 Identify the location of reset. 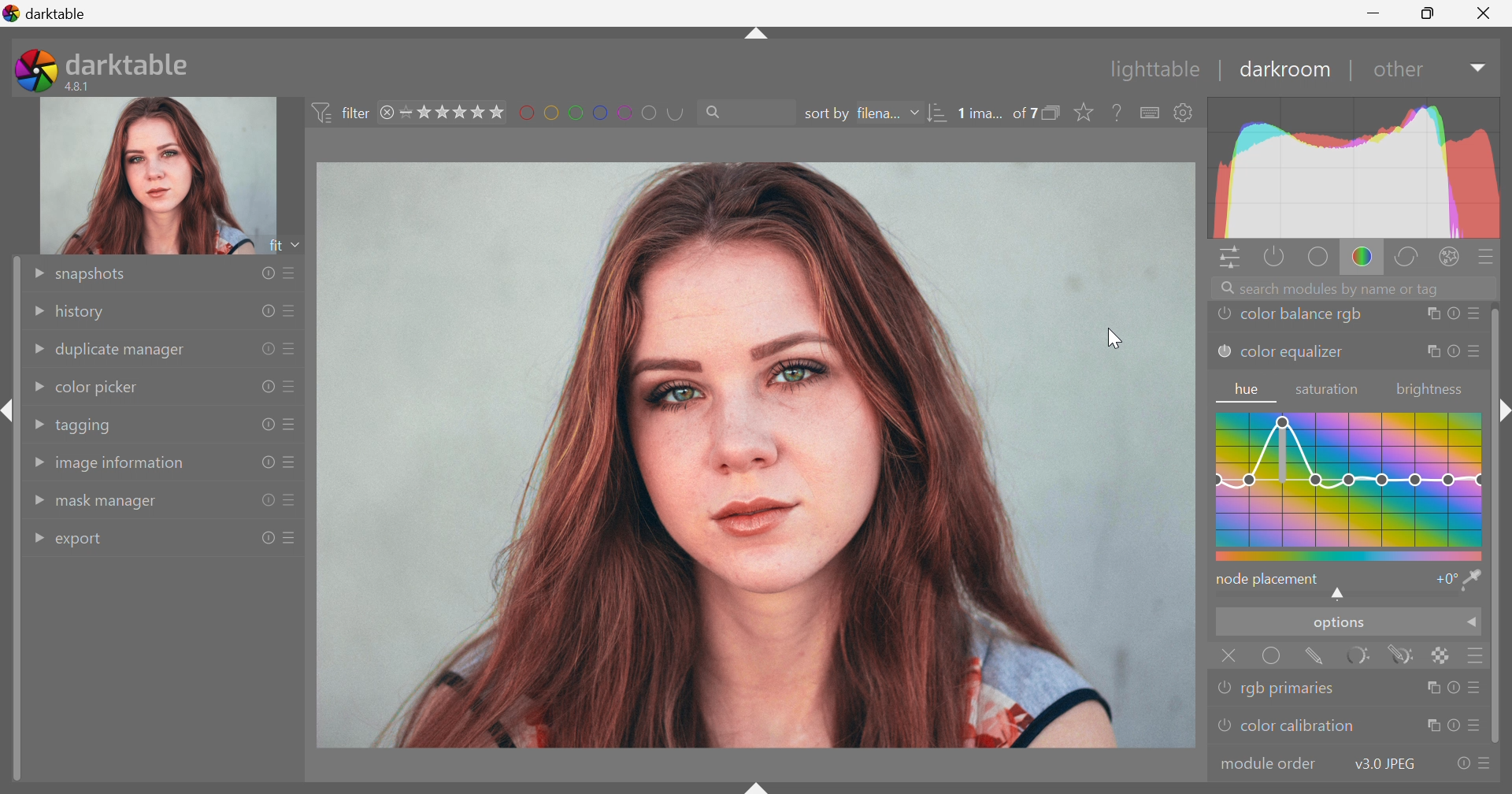
(265, 347).